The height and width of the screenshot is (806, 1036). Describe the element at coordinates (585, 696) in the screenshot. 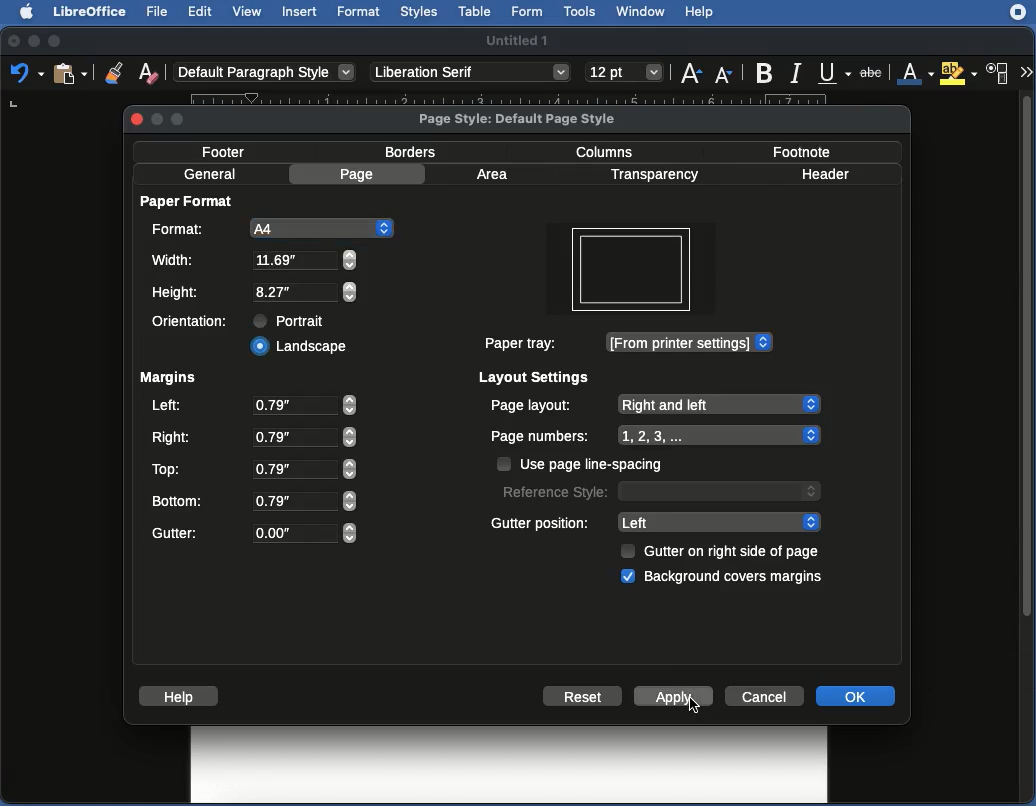

I see `Reset` at that location.